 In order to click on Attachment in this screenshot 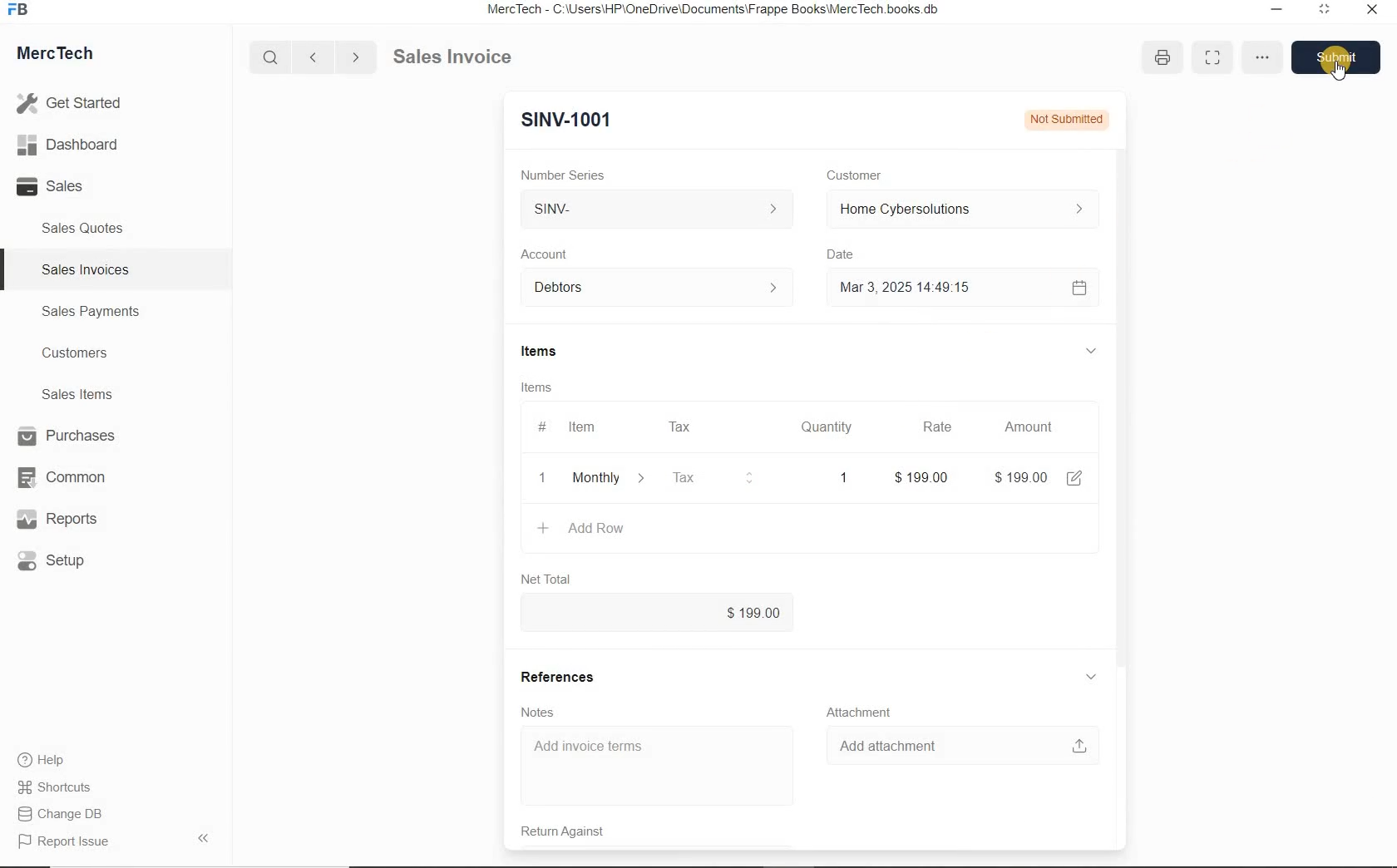, I will do `click(862, 713)`.